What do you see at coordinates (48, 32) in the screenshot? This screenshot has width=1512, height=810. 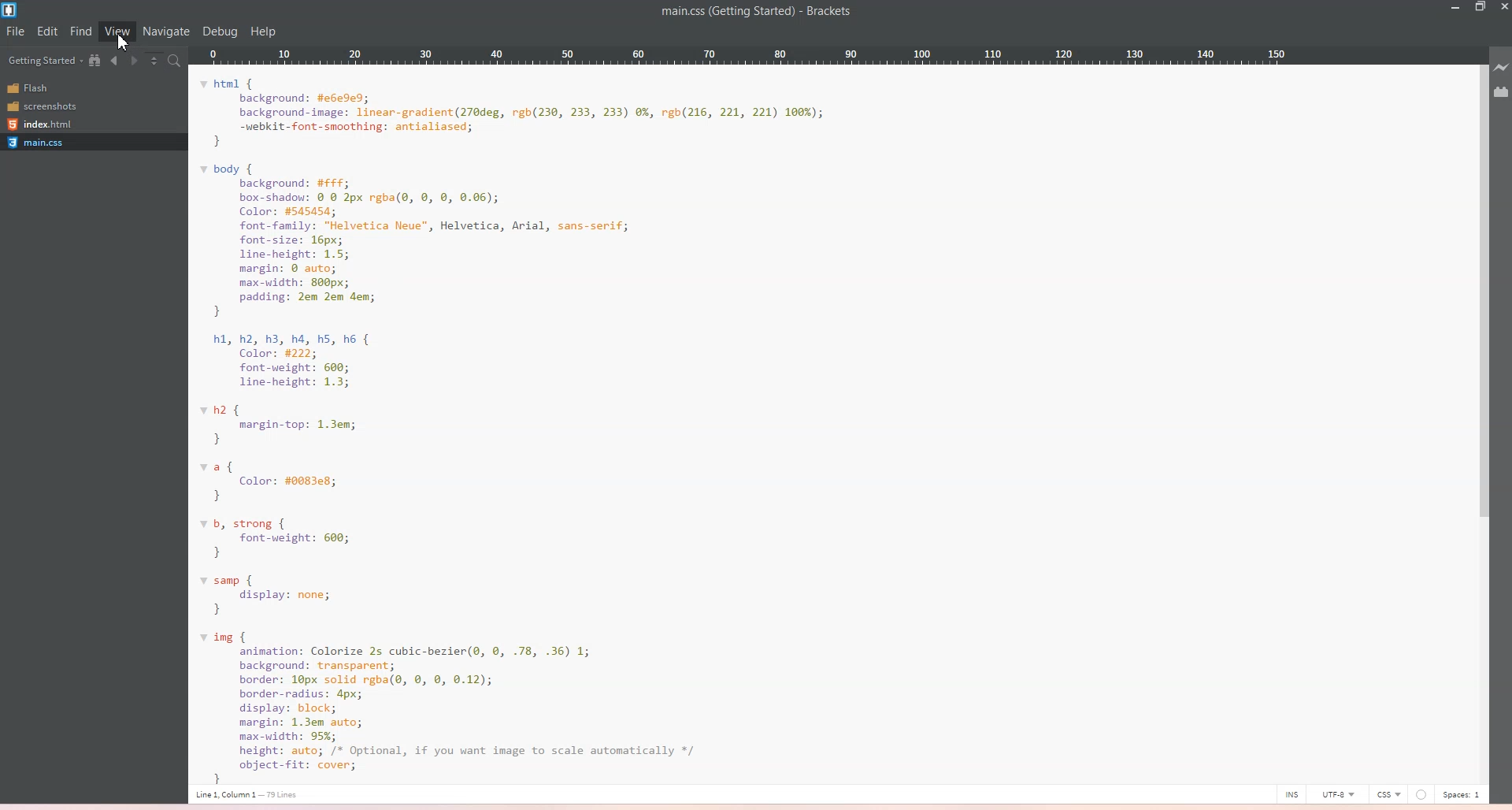 I see `Edit` at bounding box center [48, 32].